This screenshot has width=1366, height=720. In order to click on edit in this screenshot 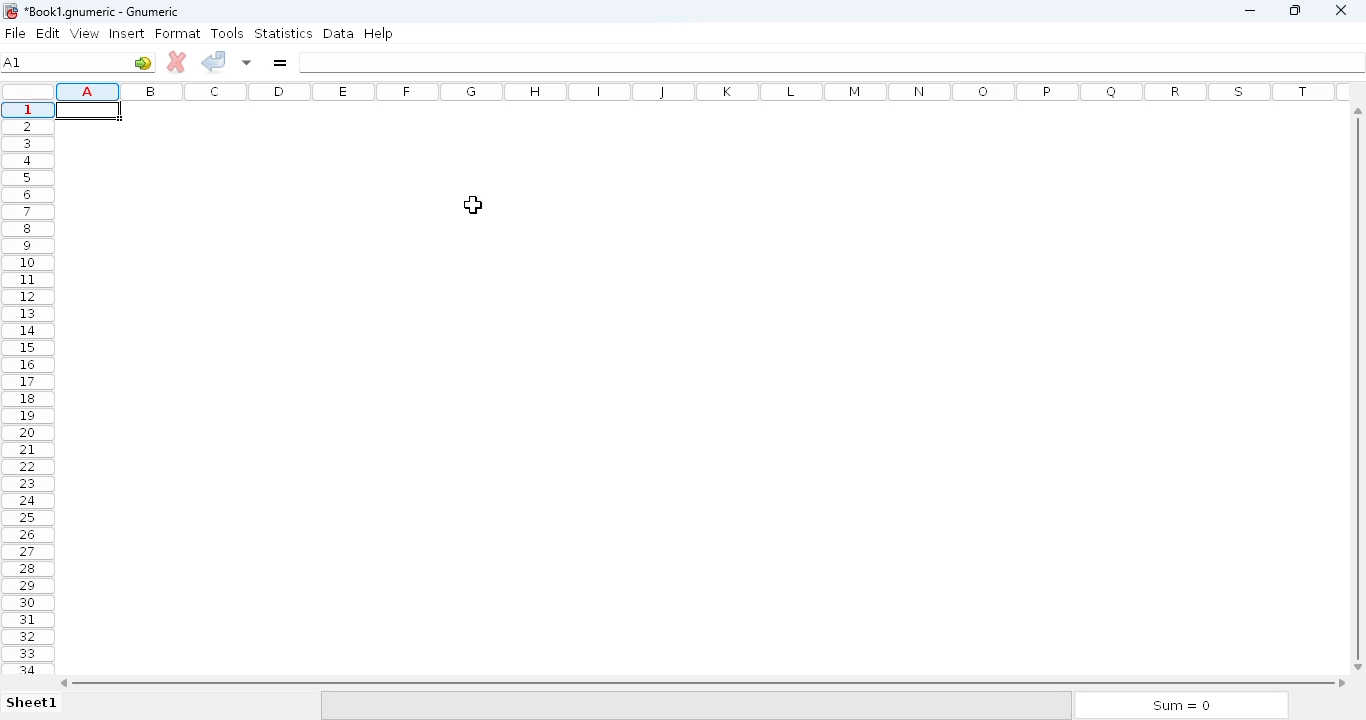, I will do `click(49, 33)`.